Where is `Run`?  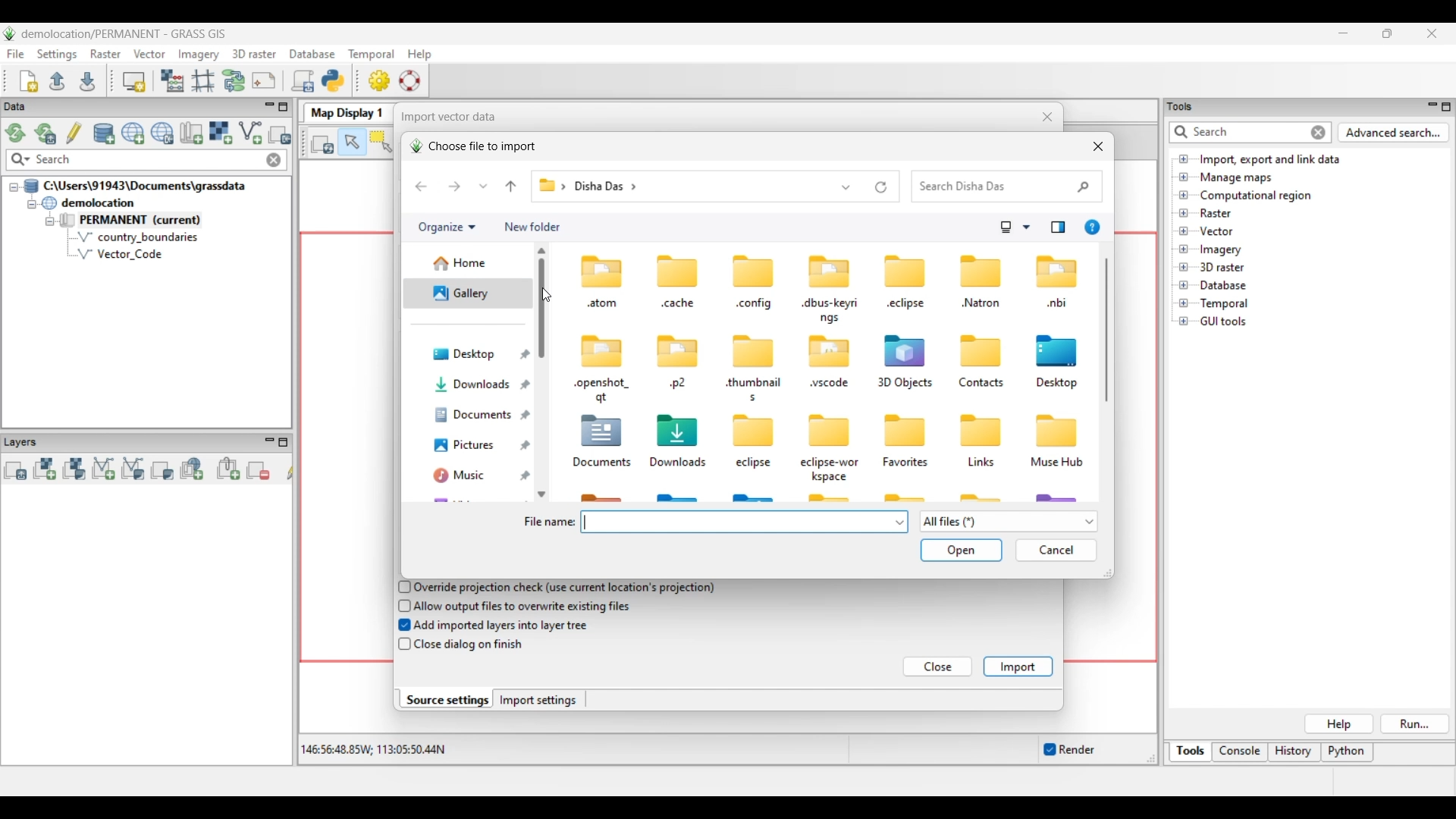
Run is located at coordinates (1416, 724).